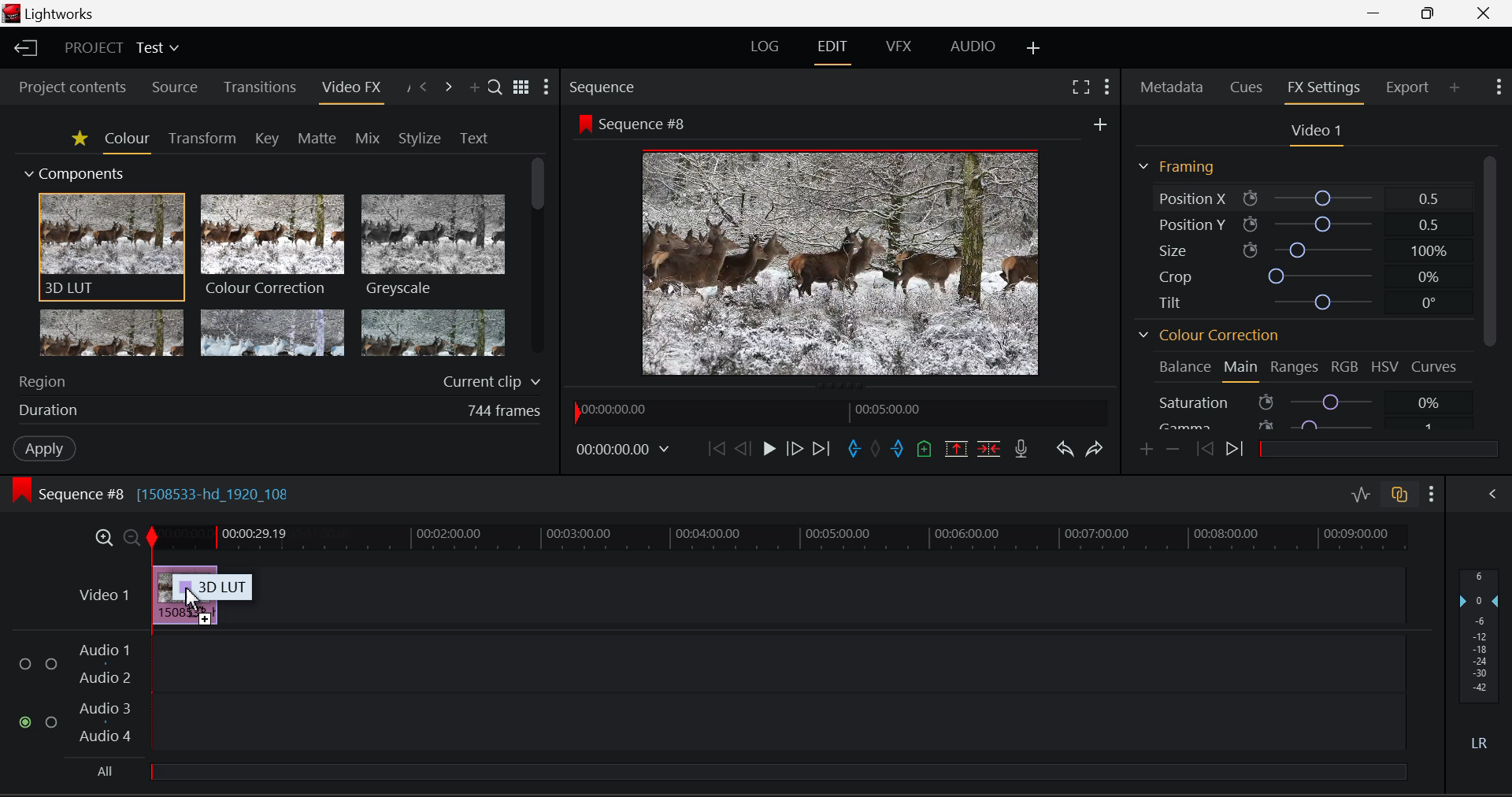 The width and height of the screenshot is (1512, 797). Describe the element at coordinates (1320, 135) in the screenshot. I see `Video Settings` at that location.